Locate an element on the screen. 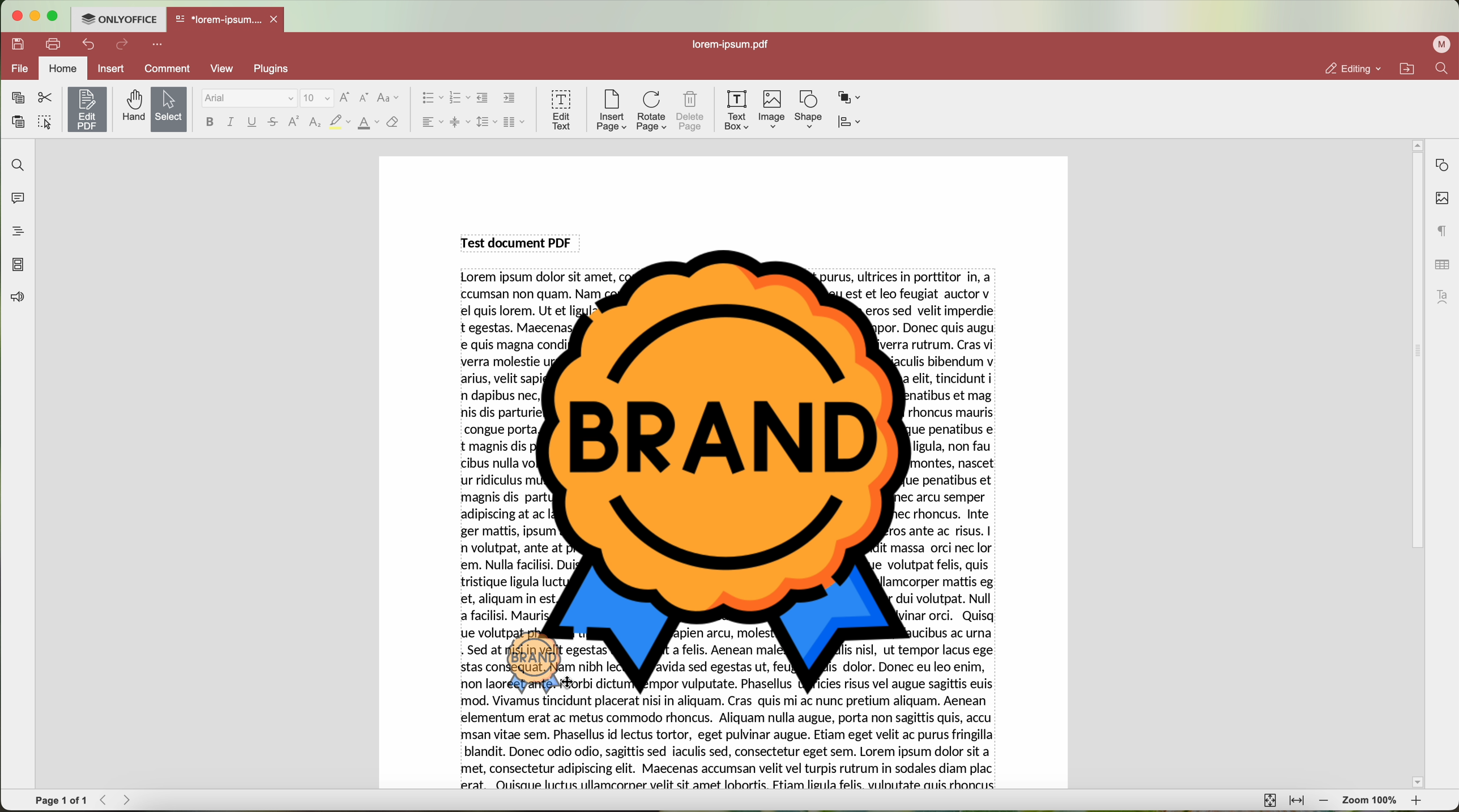 This screenshot has height=812, width=1459. underline is located at coordinates (253, 124).